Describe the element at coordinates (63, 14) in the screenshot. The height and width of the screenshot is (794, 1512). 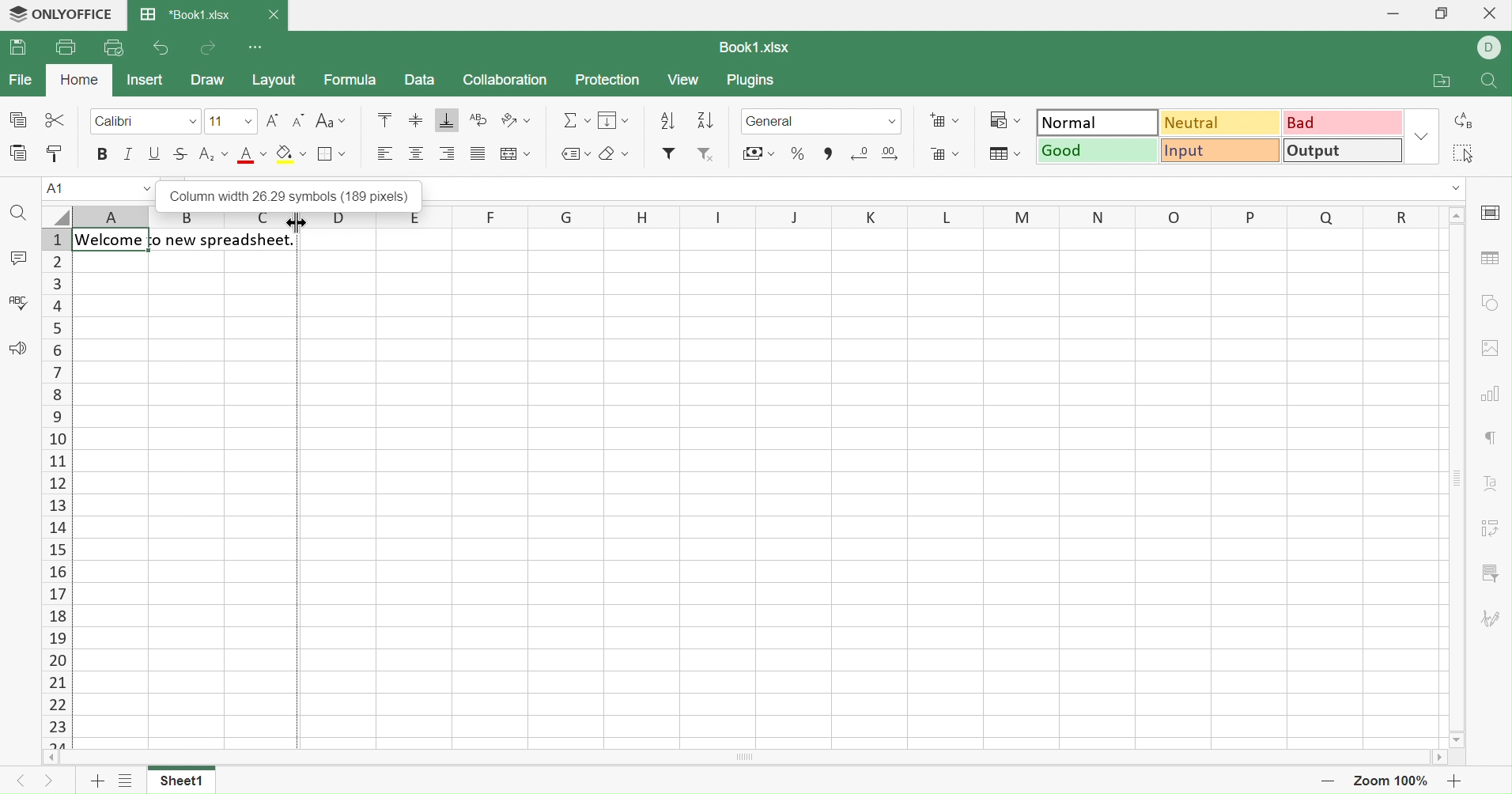
I see `ONLYOFFICE` at that location.